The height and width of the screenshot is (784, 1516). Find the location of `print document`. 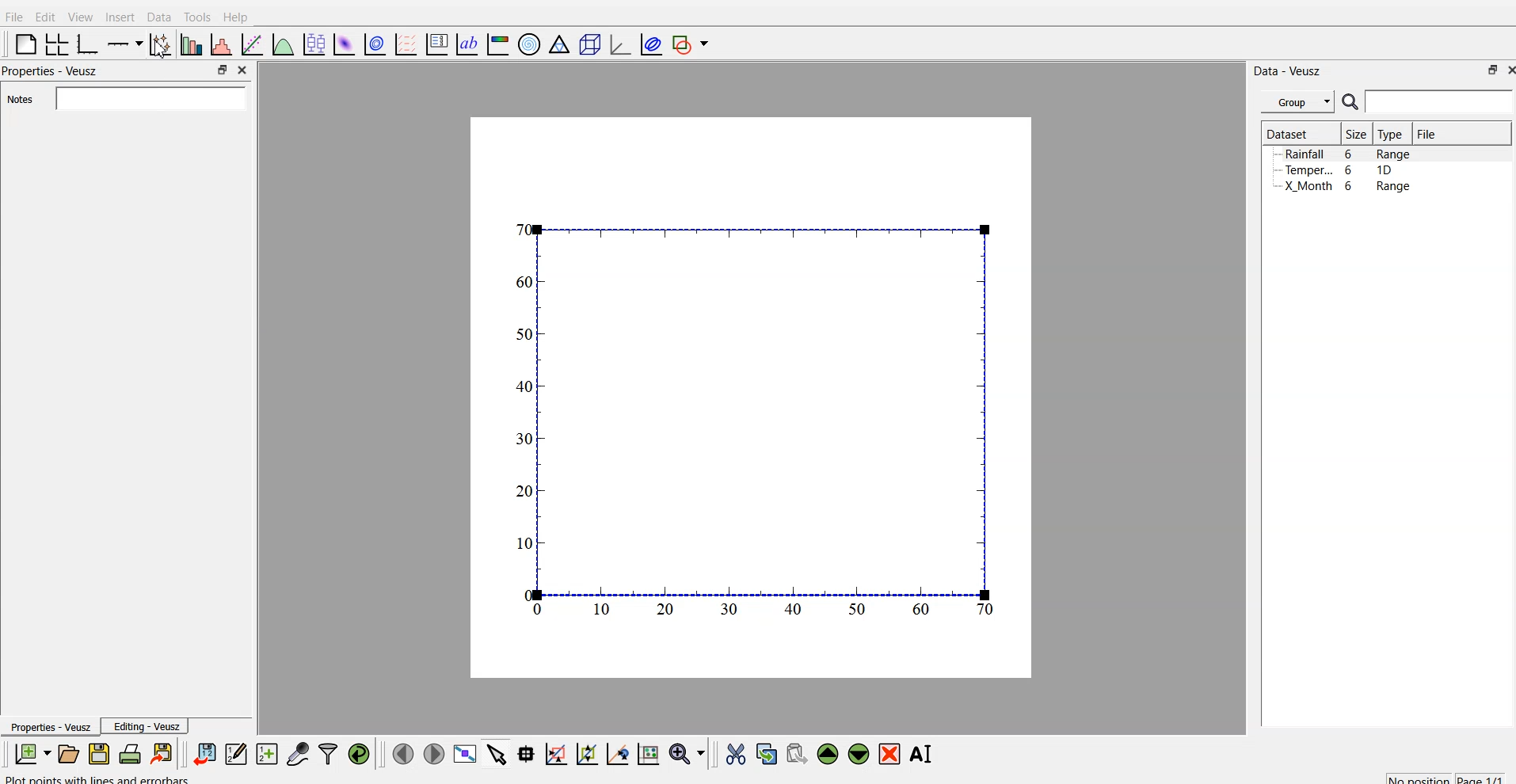

print document is located at coordinates (131, 753).